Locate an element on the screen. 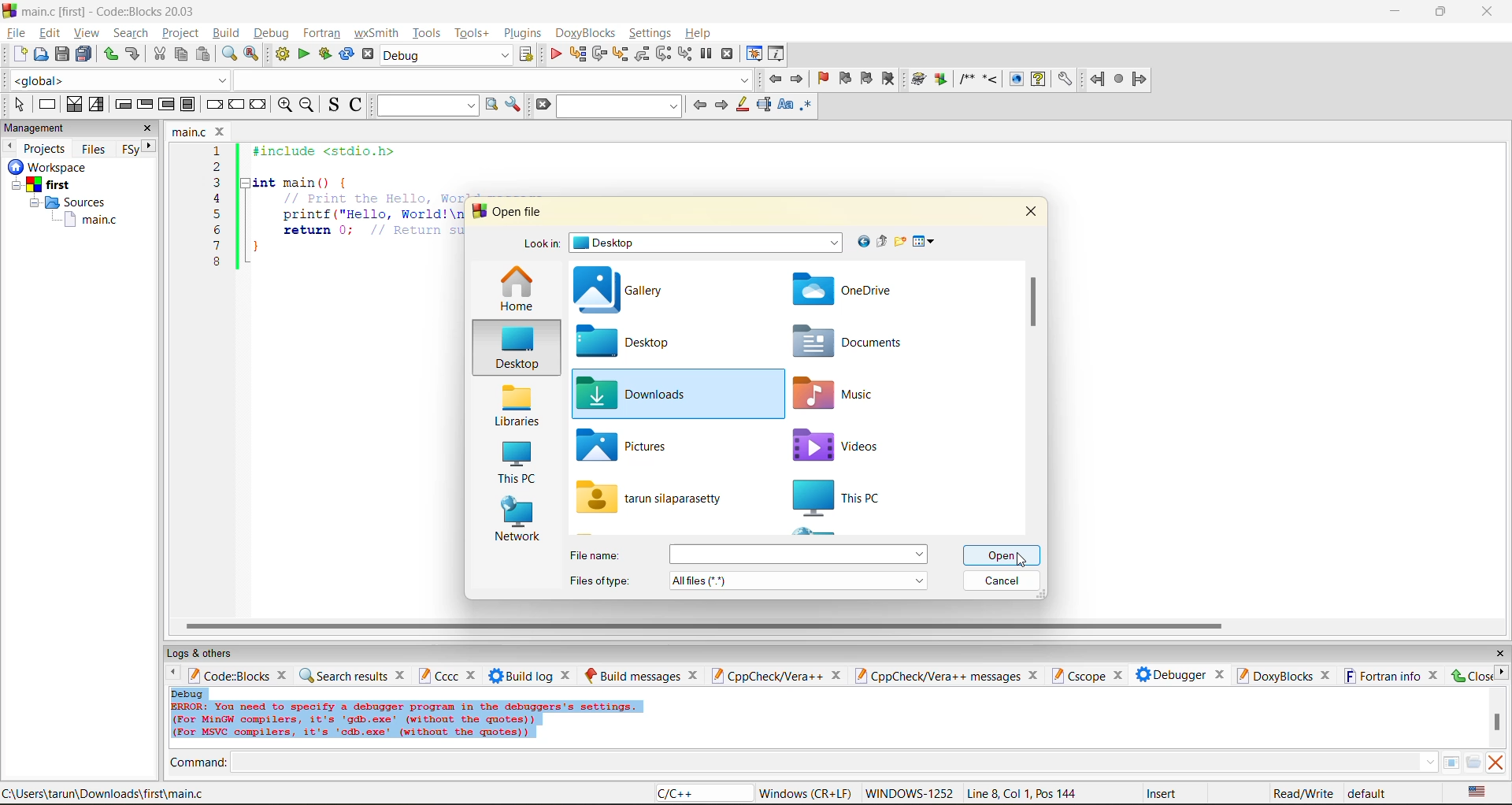 This screenshot has width=1512, height=805. build messages is located at coordinates (632, 675).